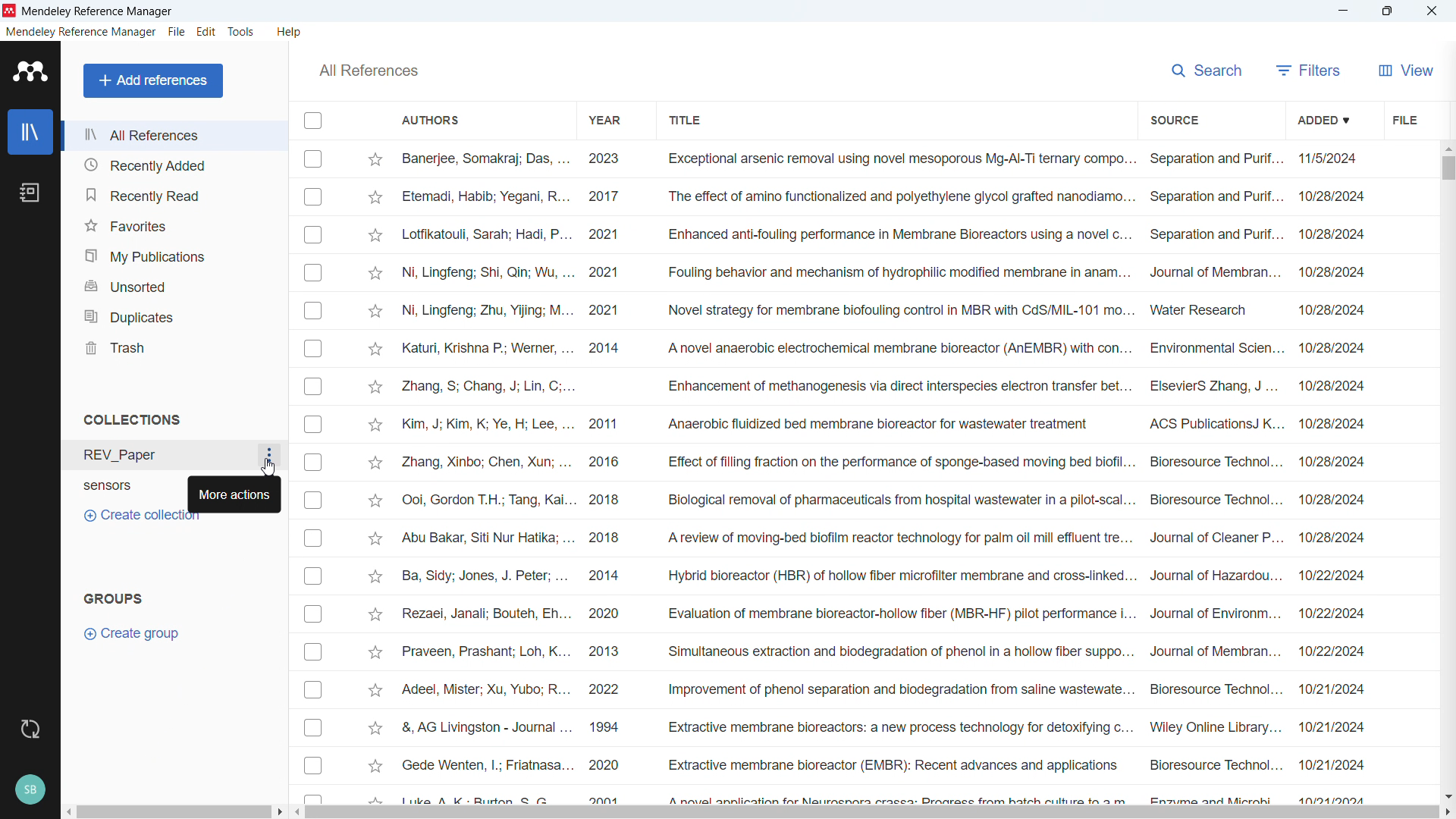 The height and width of the screenshot is (819, 1456). Describe the element at coordinates (884, 159) in the screenshot. I see `Banerjee, Somakraj; Das, ... 2023 Exceptional arsenic removal using novel mesoporous Mg-Al-Ti ternary compo... Separation and Purif... 11/5/2024` at that location.